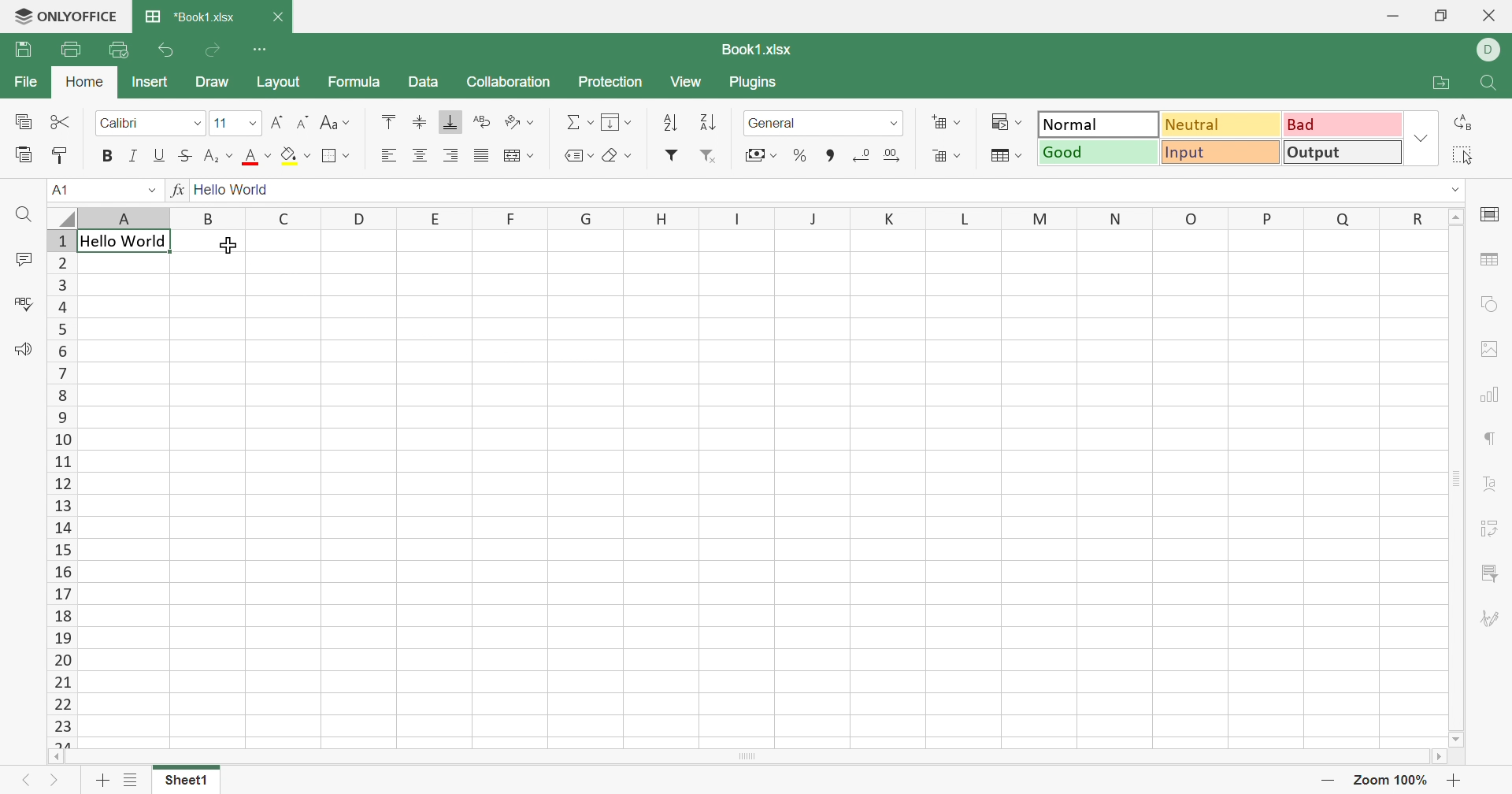  I want to click on Paste, so click(26, 154).